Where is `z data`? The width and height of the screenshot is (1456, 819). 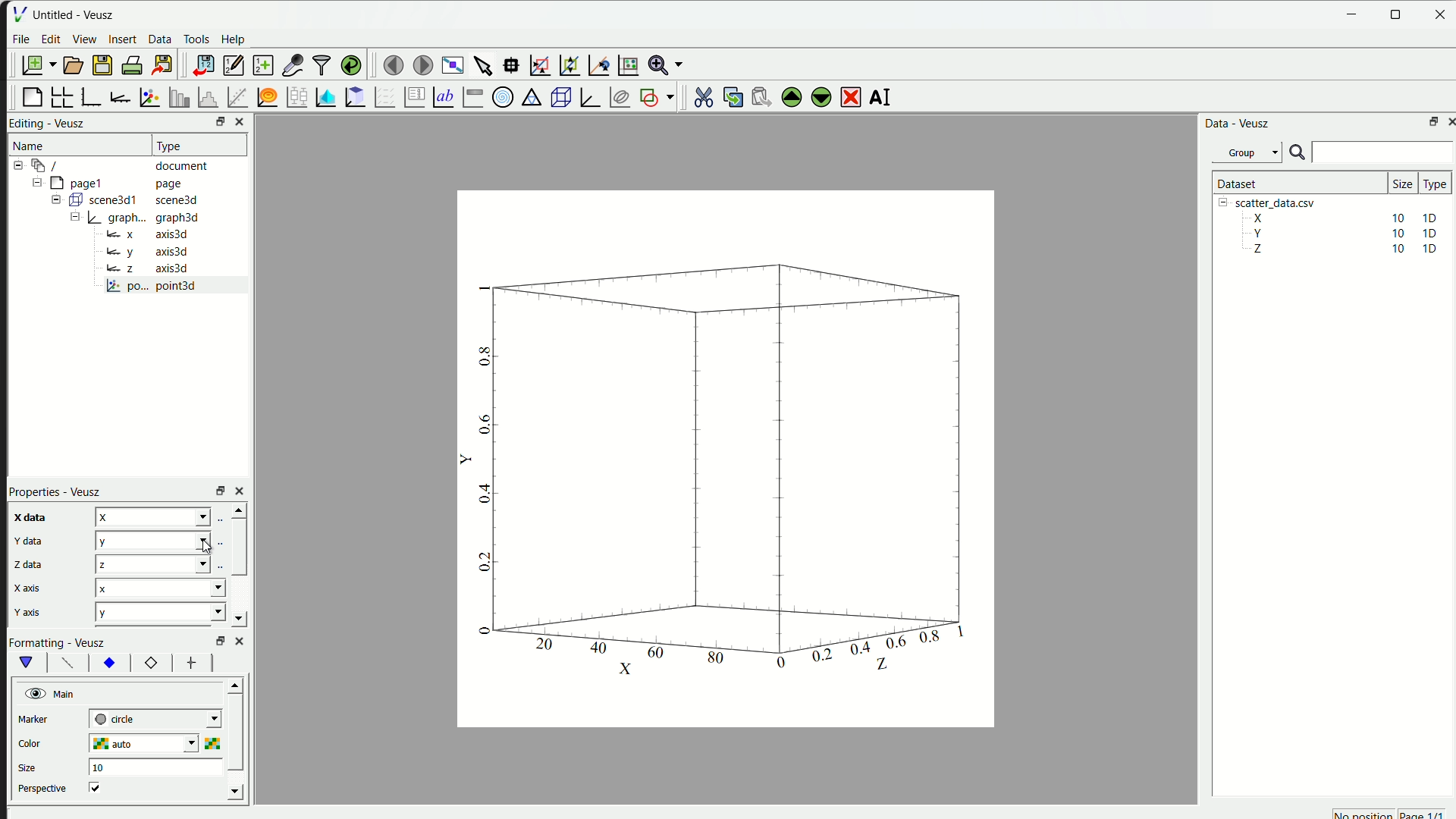 z data is located at coordinates (26, 563).